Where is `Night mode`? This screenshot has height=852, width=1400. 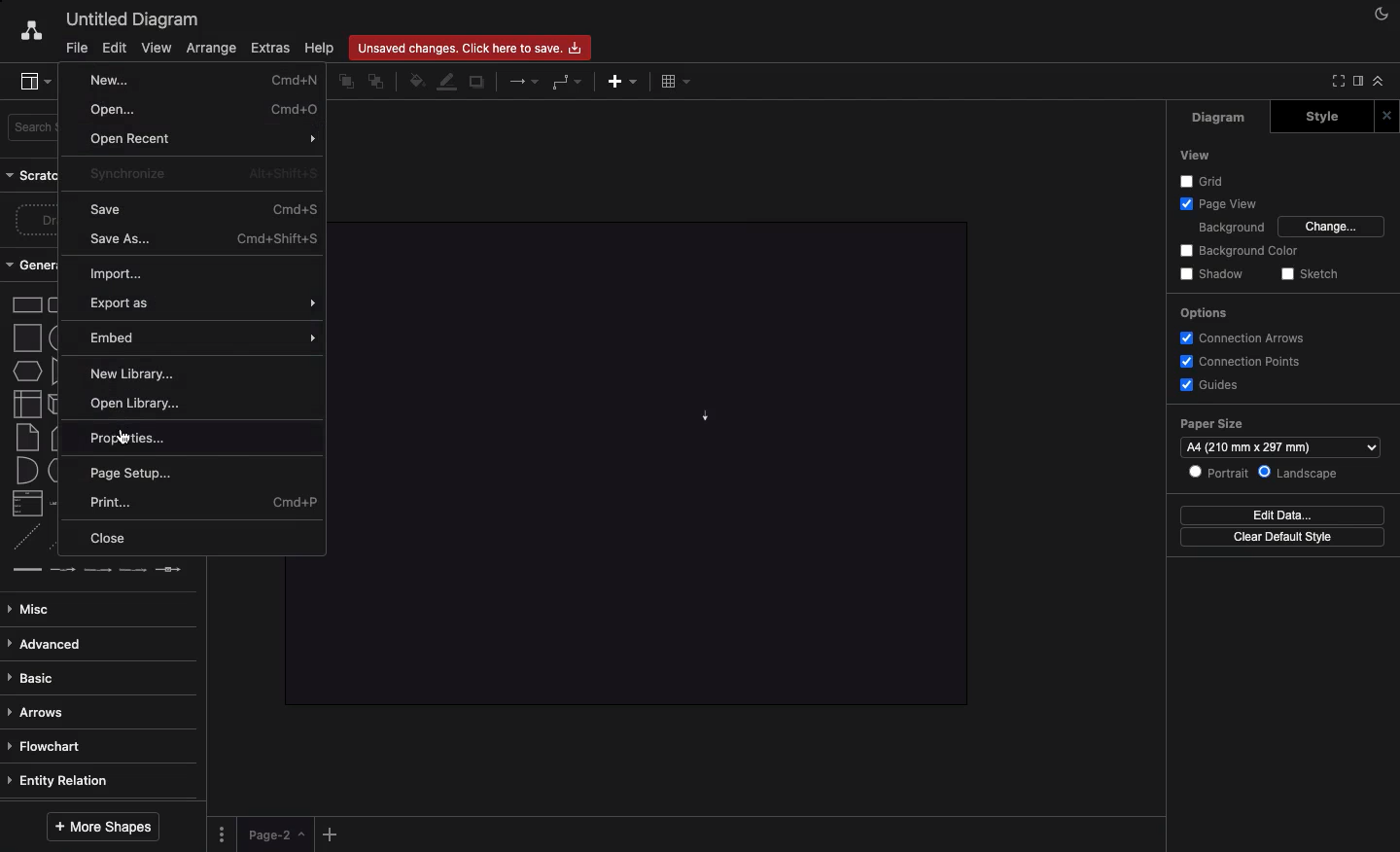 Night mode is located at coordinates (1382, 15).